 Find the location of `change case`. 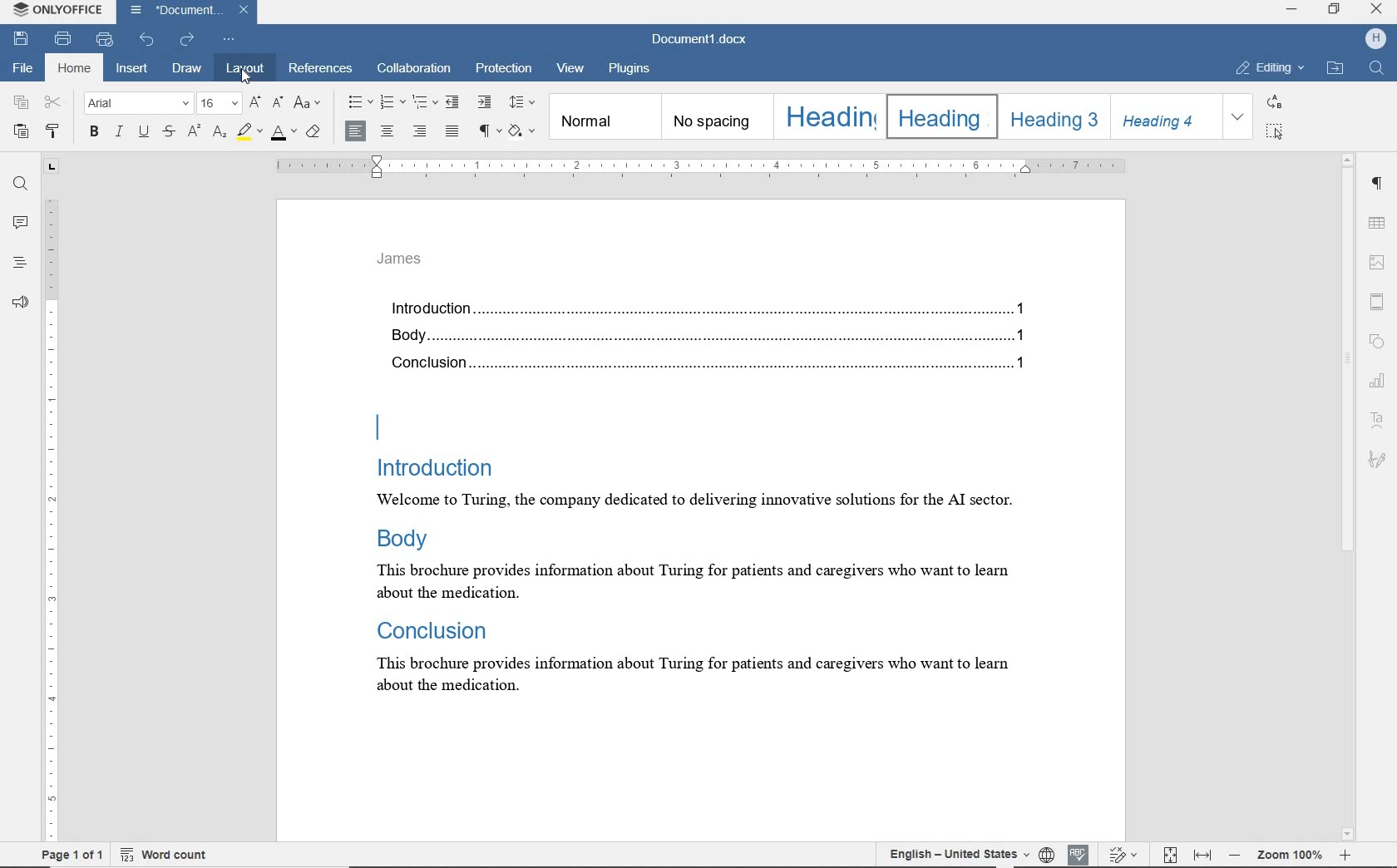

change case is located at coordinates (308, 103).